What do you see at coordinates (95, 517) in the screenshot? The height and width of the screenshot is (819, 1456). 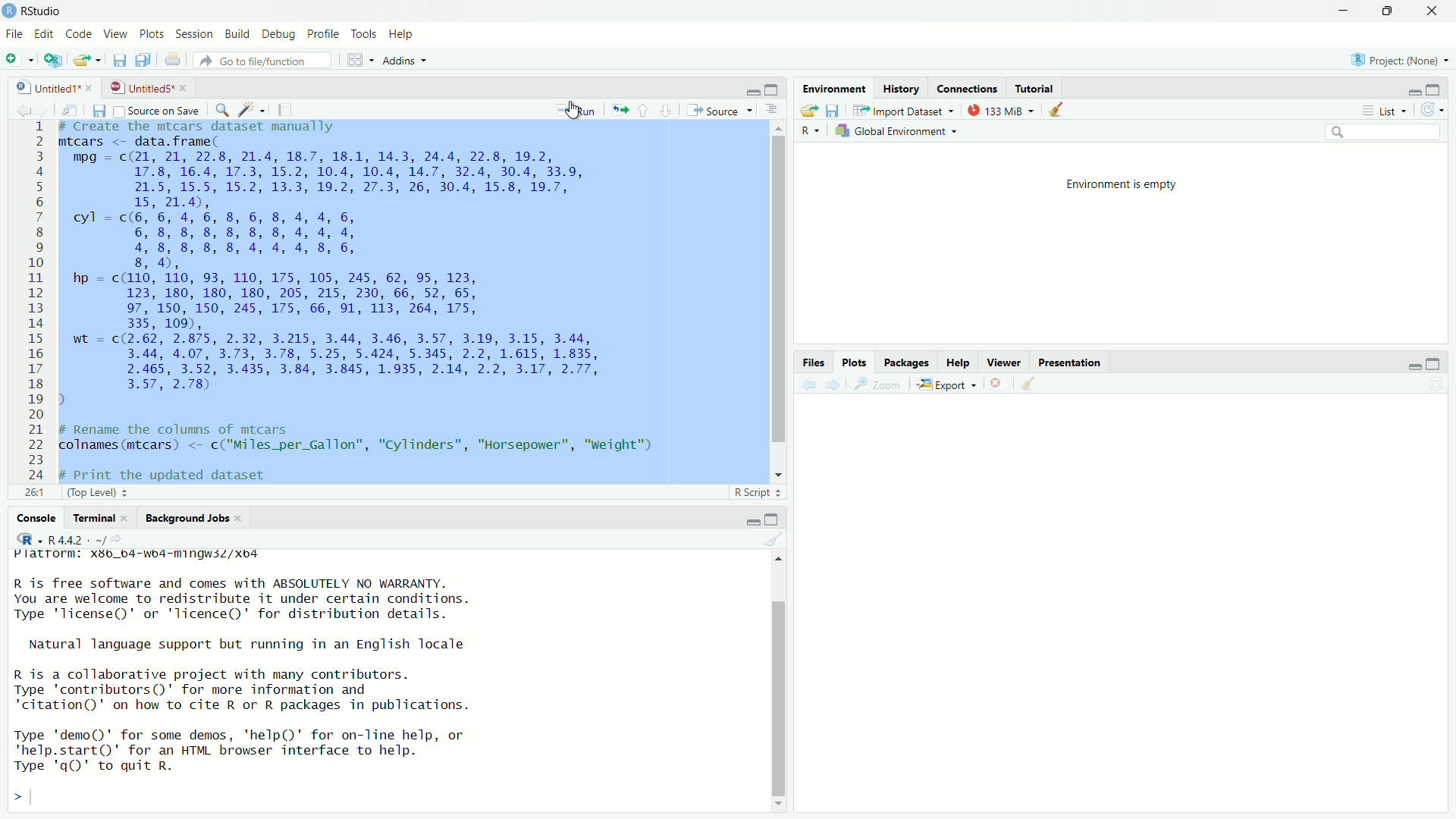 I see `Terminal` at bounding box center [95, 517].